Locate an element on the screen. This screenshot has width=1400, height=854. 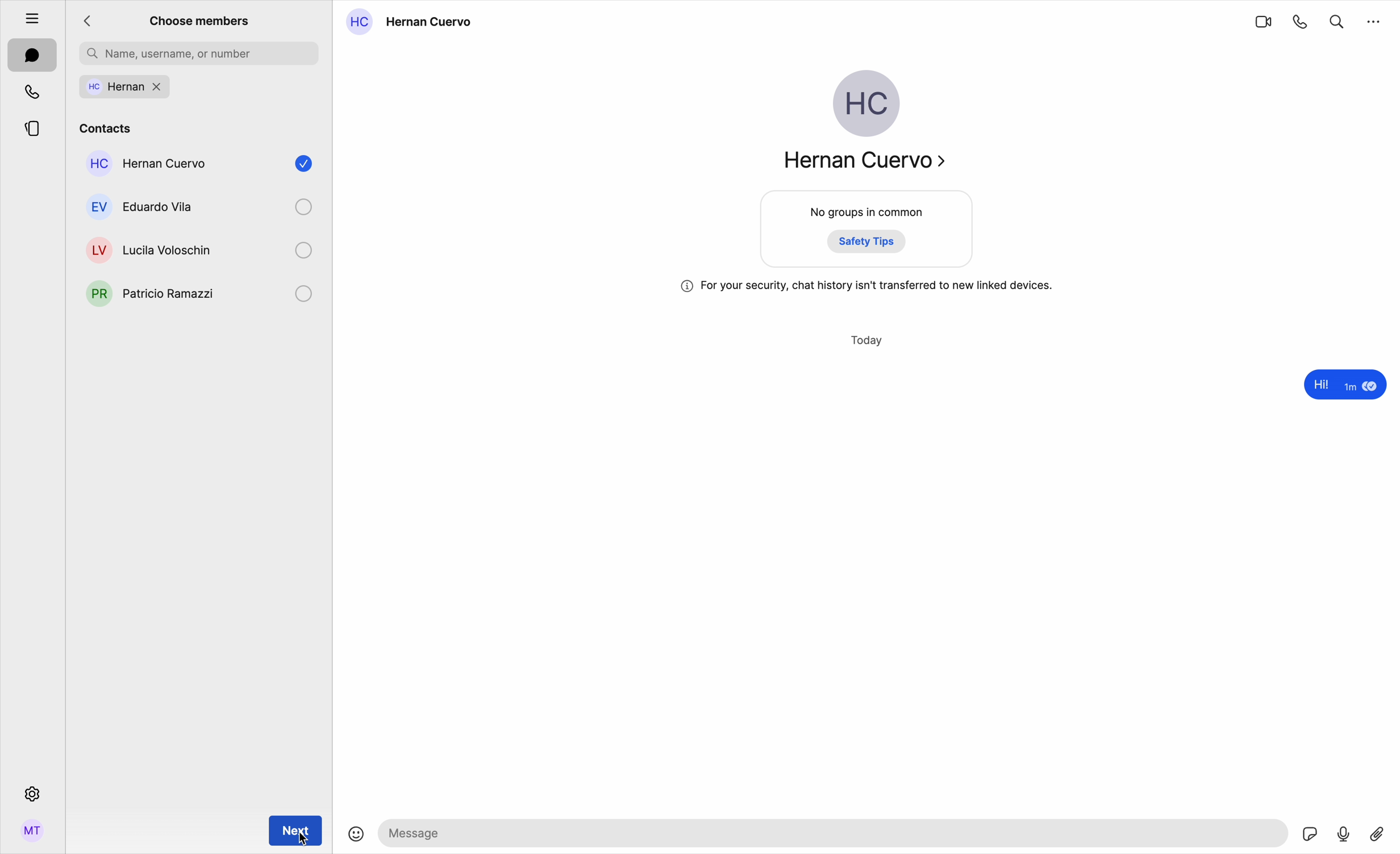
Hernan Cuervo contact is located at coordinates (414, 22).